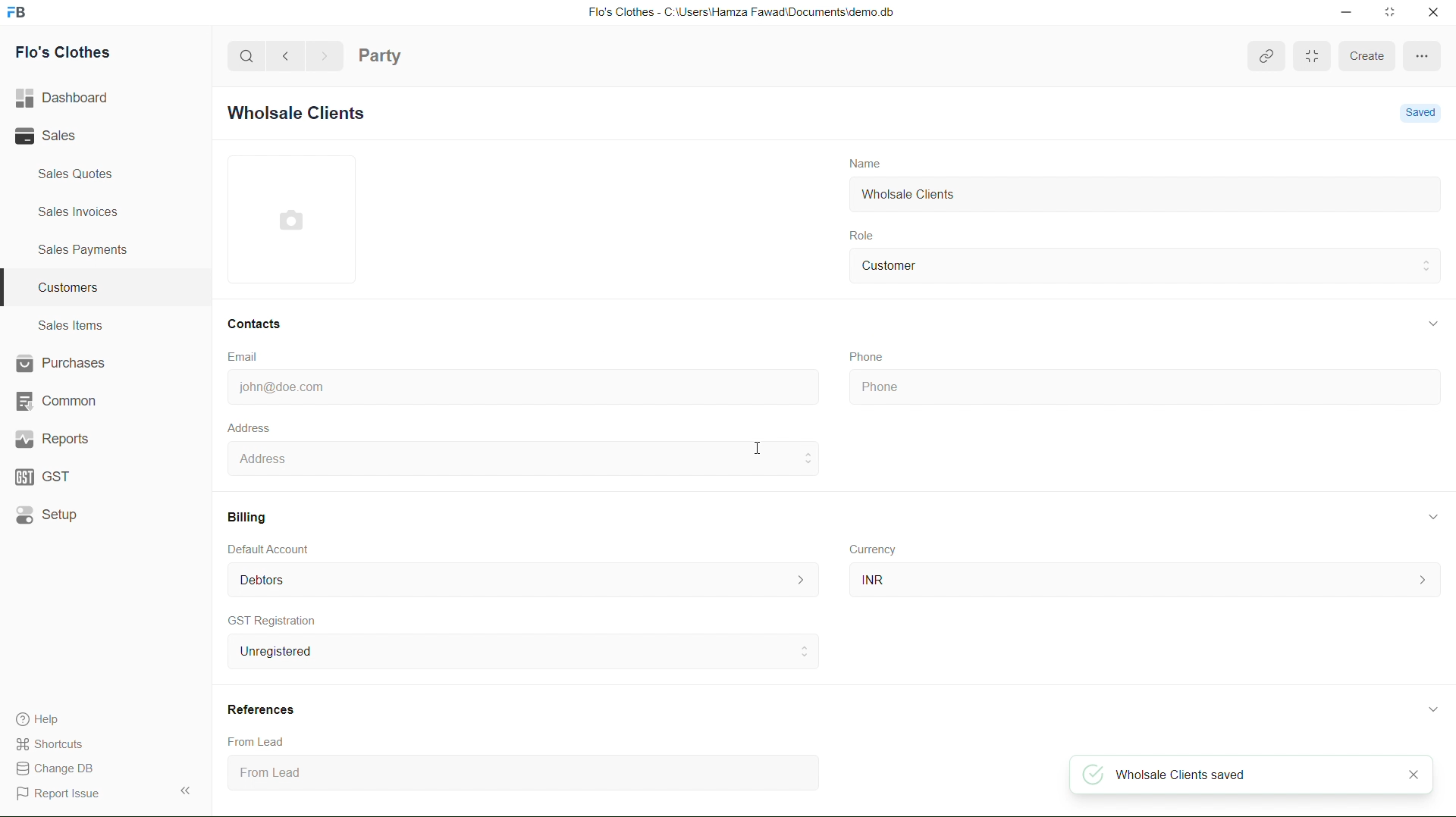  What do you see at coordinates (382, 52) in the screenshot?
I see `party` at bounding box center [382, 52].